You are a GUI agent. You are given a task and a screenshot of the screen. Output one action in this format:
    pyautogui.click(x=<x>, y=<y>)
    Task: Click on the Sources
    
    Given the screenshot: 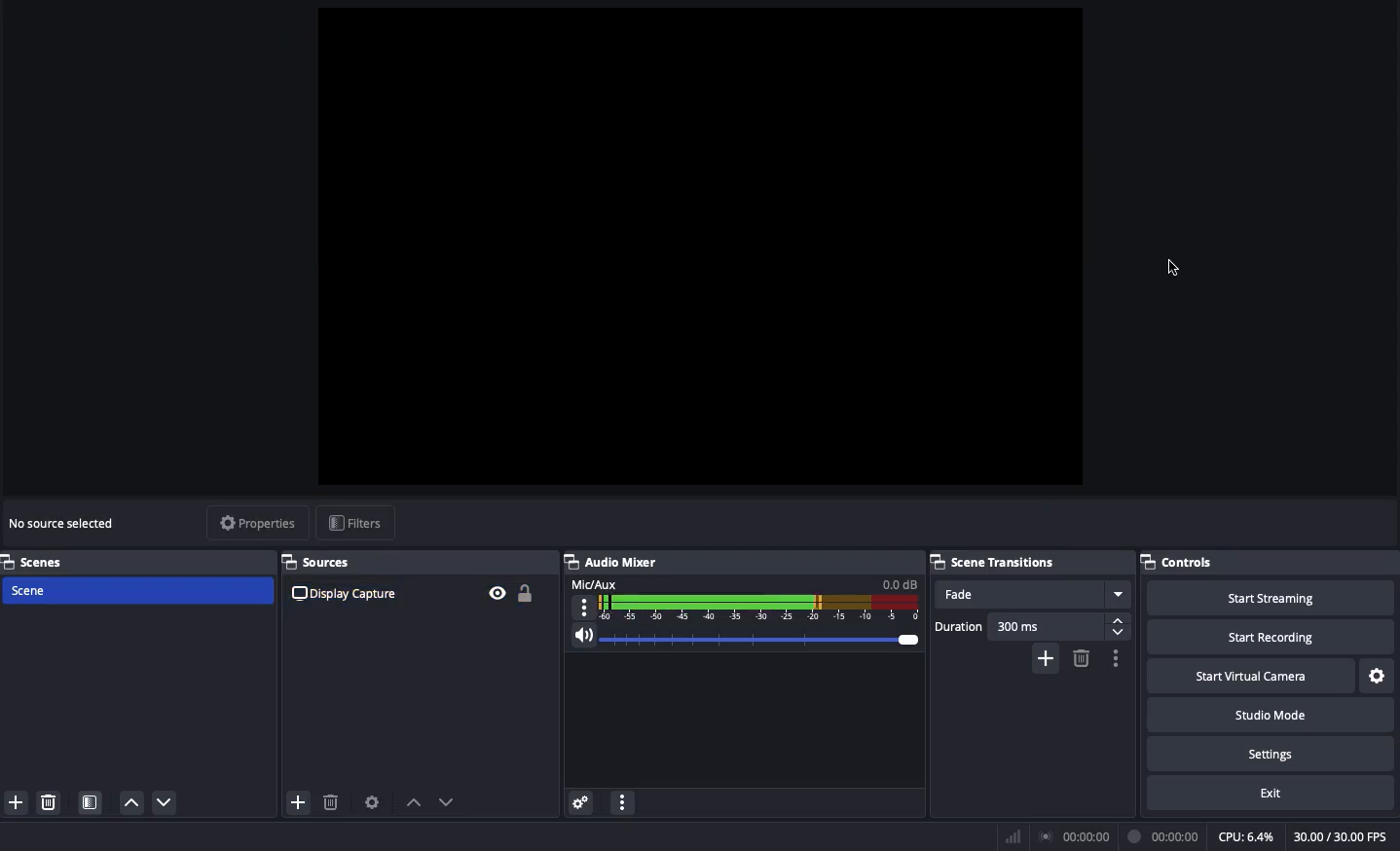 What is the action you would take?
    pyautogui.click(x=323, y=562)
    